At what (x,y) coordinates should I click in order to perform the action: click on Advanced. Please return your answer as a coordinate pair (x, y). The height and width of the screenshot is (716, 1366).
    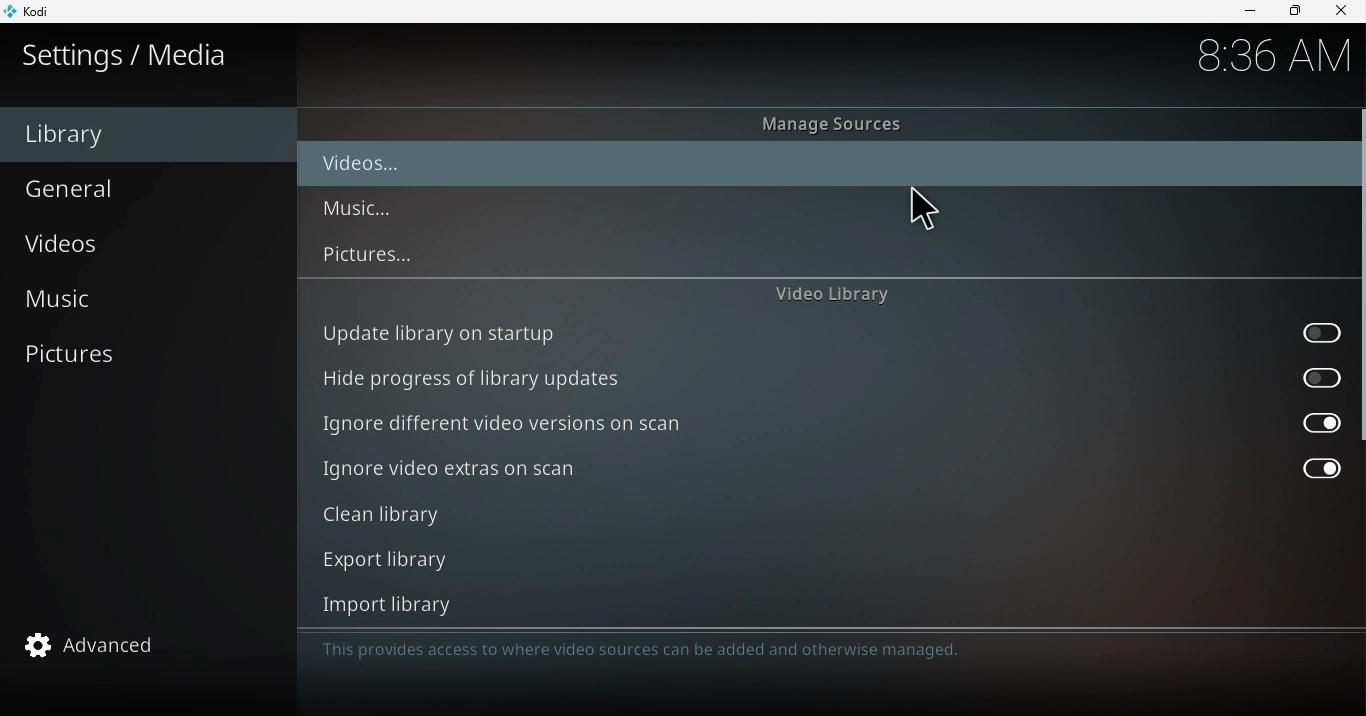
    Looking at the image, I should click on (149, 644).